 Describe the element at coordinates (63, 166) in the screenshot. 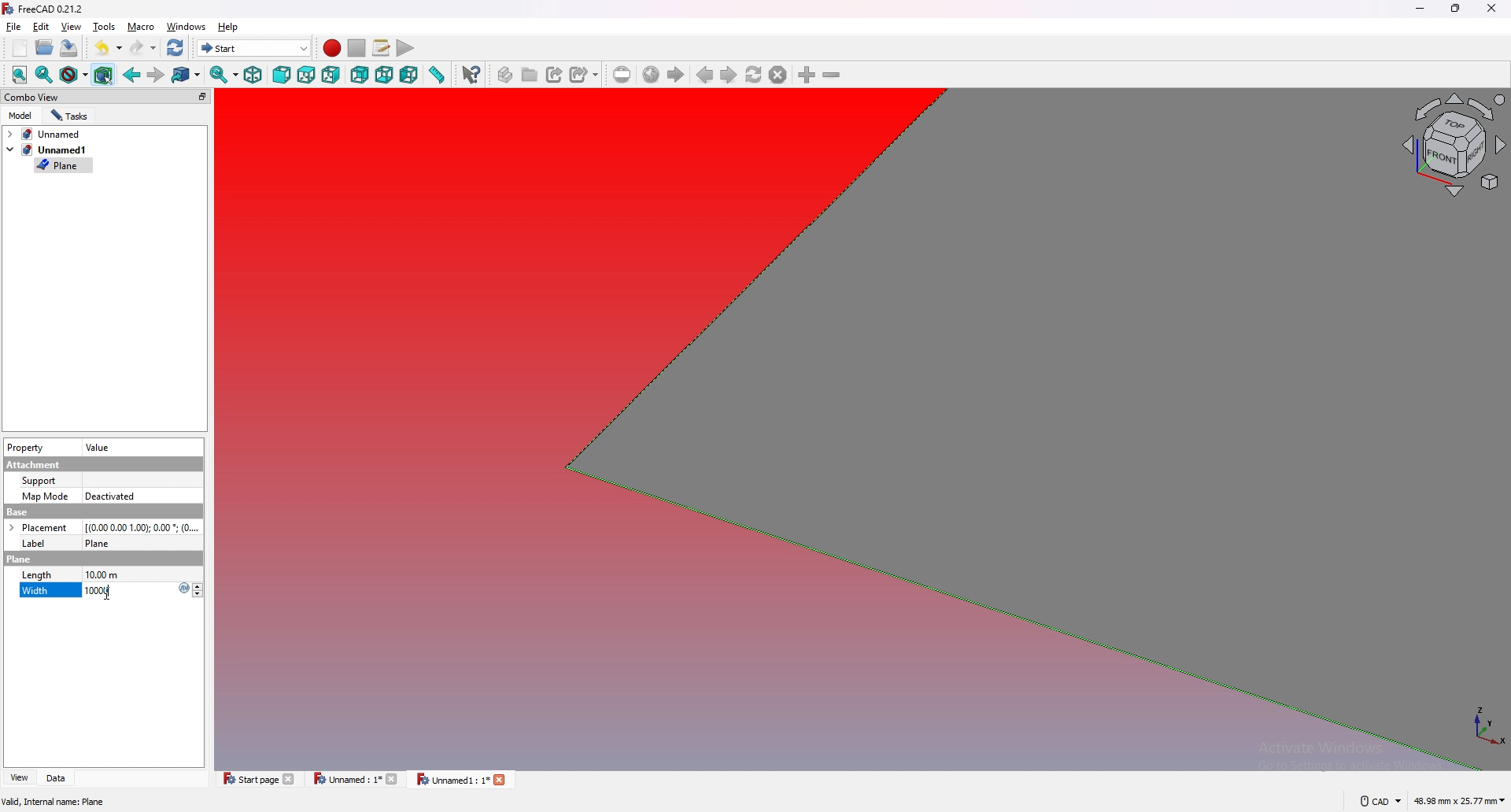

I see `plane` at that location.